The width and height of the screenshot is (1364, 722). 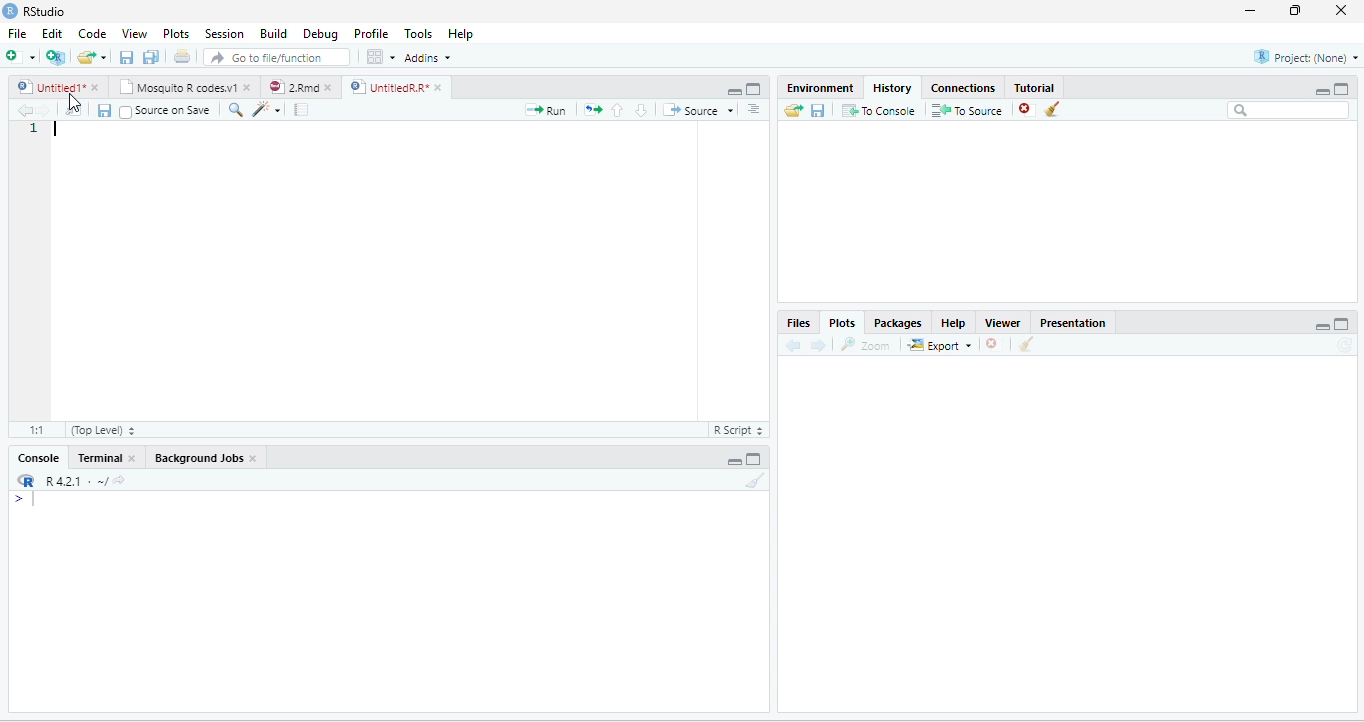 What do you see at coordinates (593, 110) in the screenshot?
I see `Re-run the previous code region` at bounding box center [593, 110].